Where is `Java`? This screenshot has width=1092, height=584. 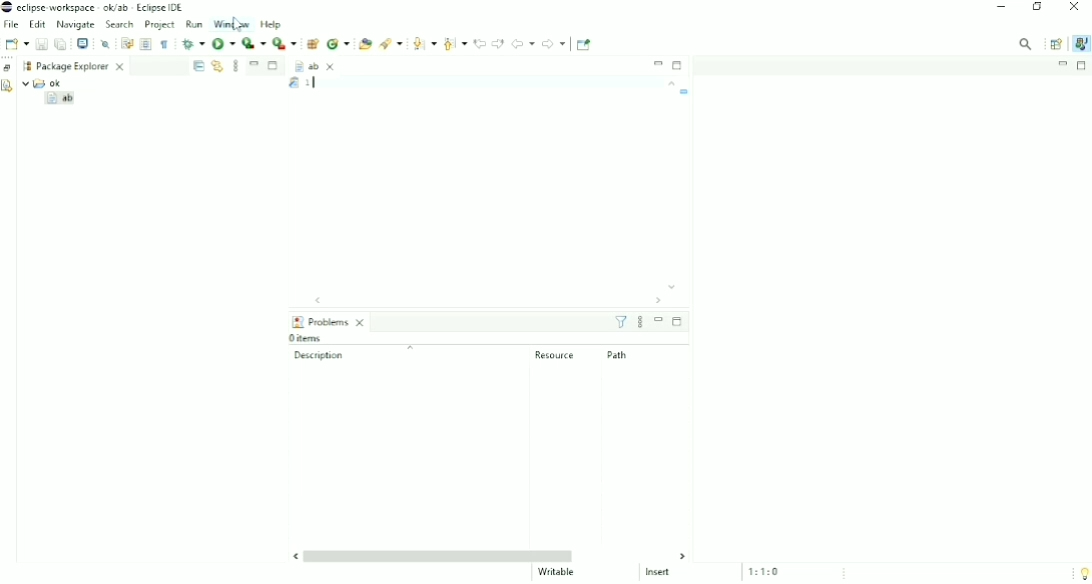
Java is located at coordinates (1080, 43).